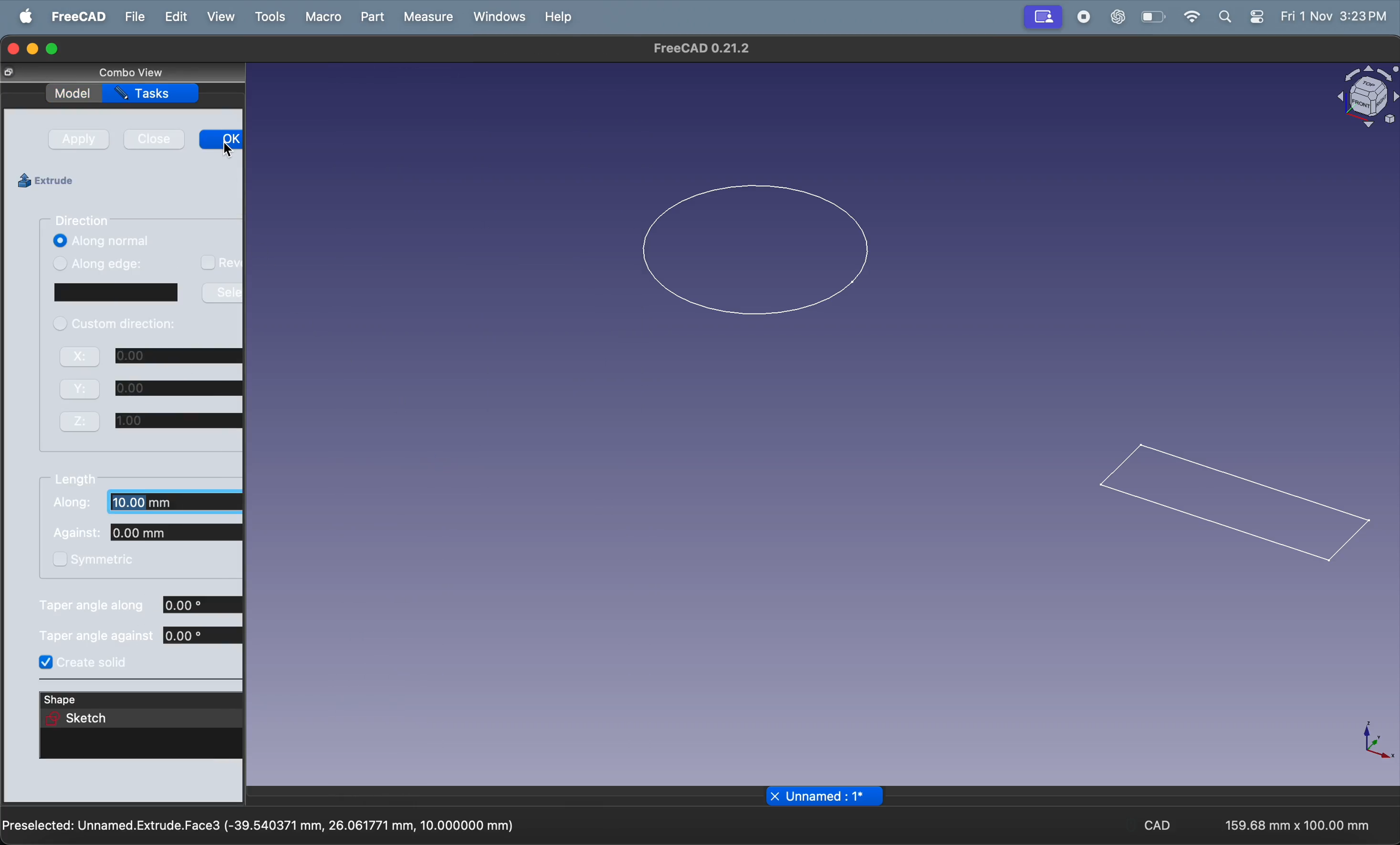  I want to click on 0.00mm, so click(176, 532).